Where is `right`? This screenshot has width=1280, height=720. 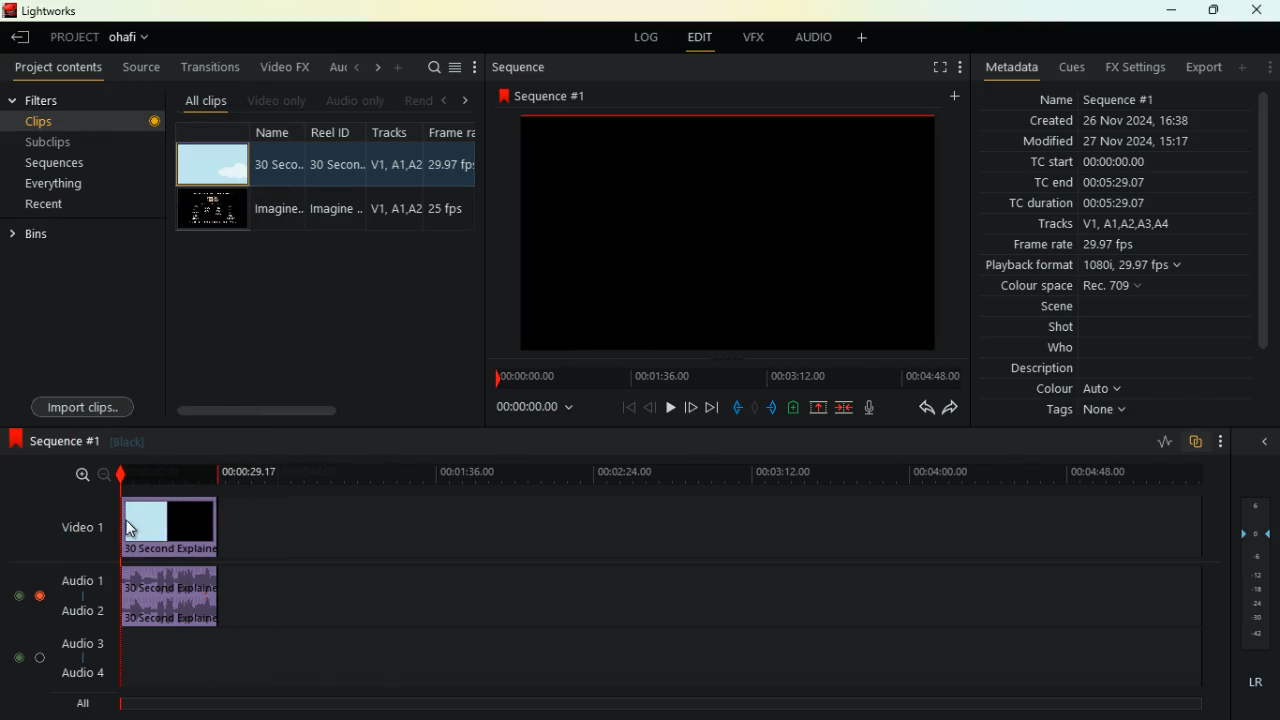
right is located at coordinates (470, 101).